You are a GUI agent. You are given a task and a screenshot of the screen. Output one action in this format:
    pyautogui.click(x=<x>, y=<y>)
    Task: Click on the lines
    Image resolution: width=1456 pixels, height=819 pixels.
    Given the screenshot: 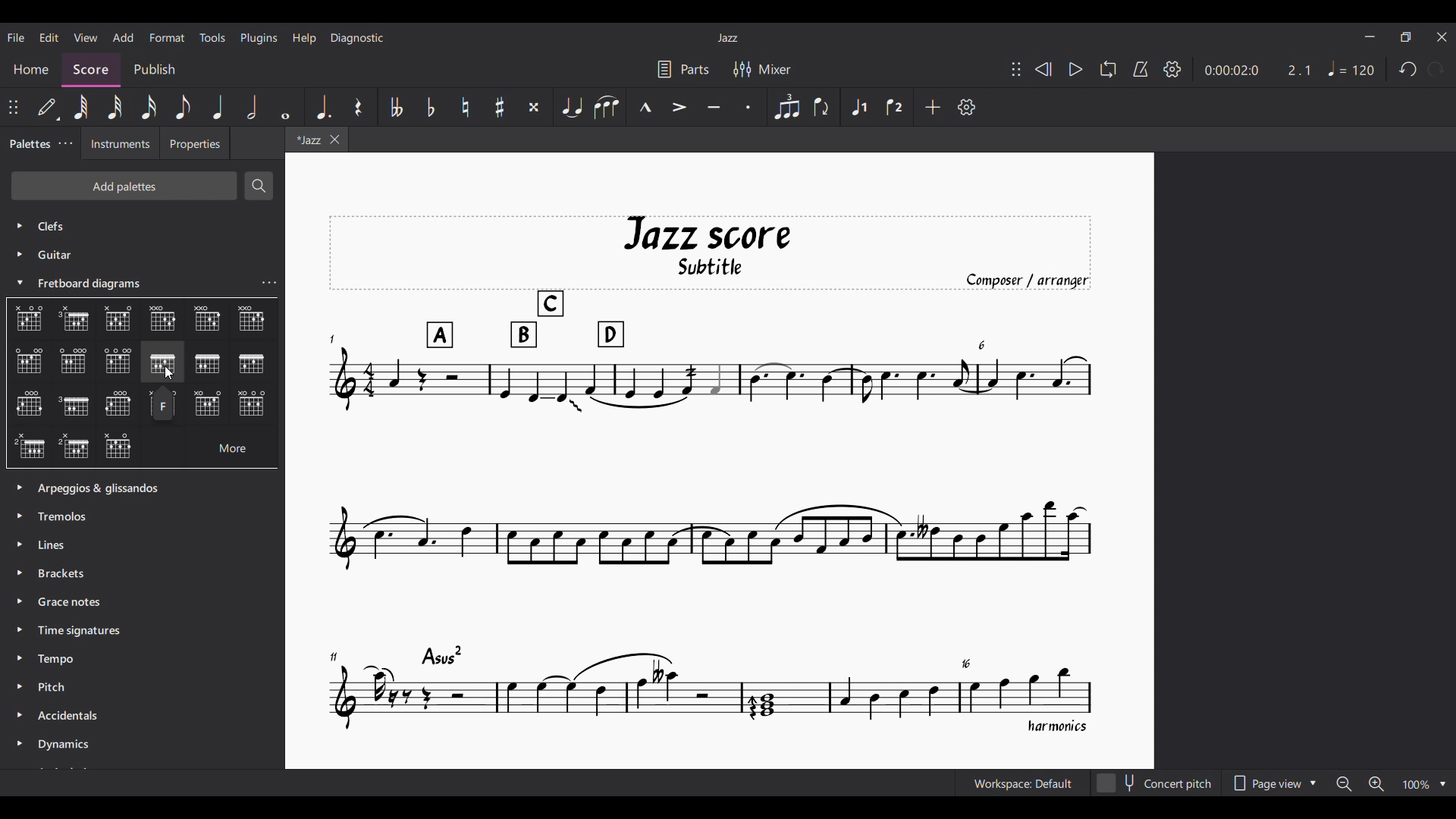 What is the action you would take?
    pyautogui.click(x=56, y=545)
    